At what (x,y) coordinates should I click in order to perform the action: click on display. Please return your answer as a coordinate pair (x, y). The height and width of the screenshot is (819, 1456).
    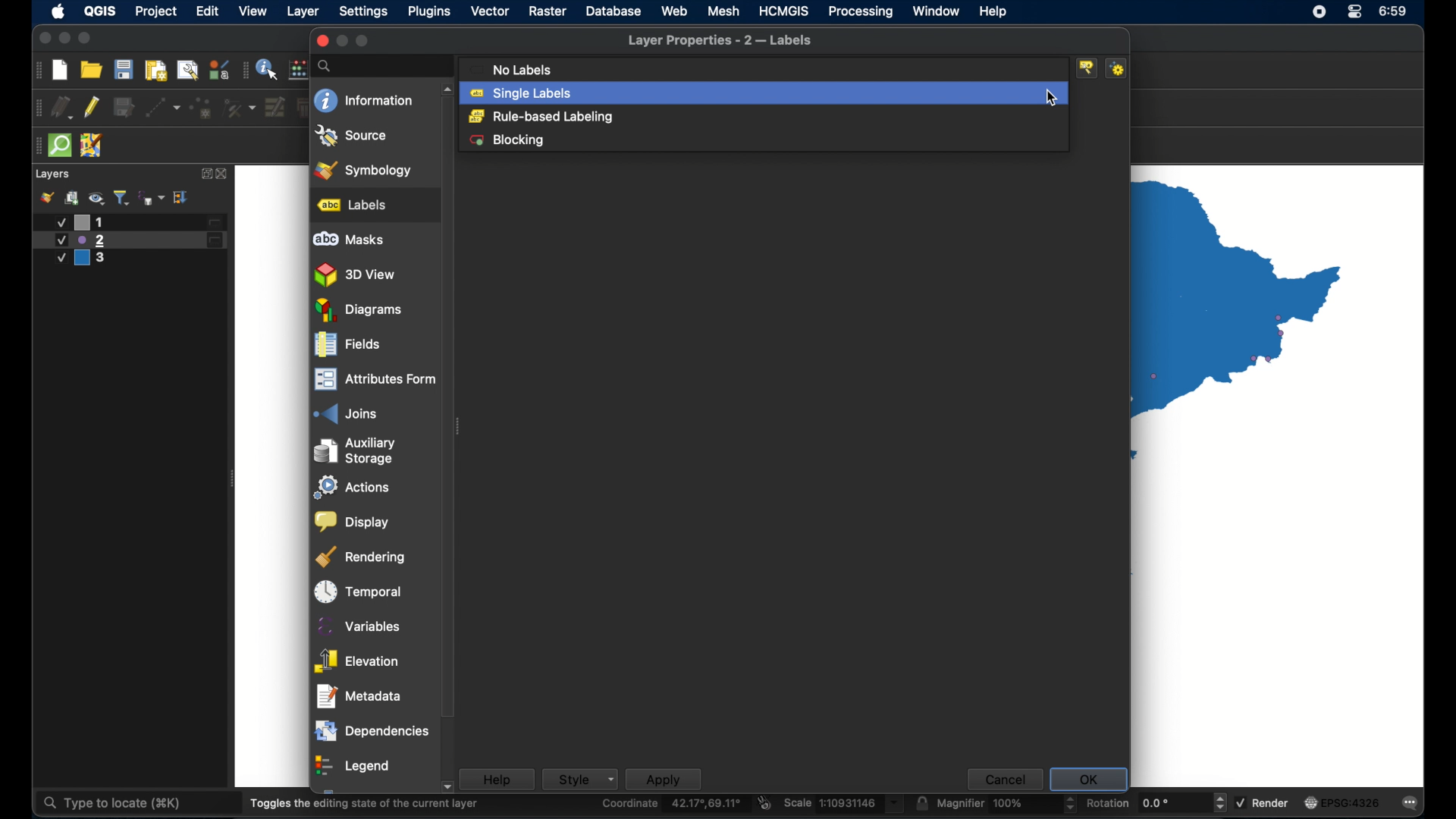
    Looking at the image, I should click on (353, 522).